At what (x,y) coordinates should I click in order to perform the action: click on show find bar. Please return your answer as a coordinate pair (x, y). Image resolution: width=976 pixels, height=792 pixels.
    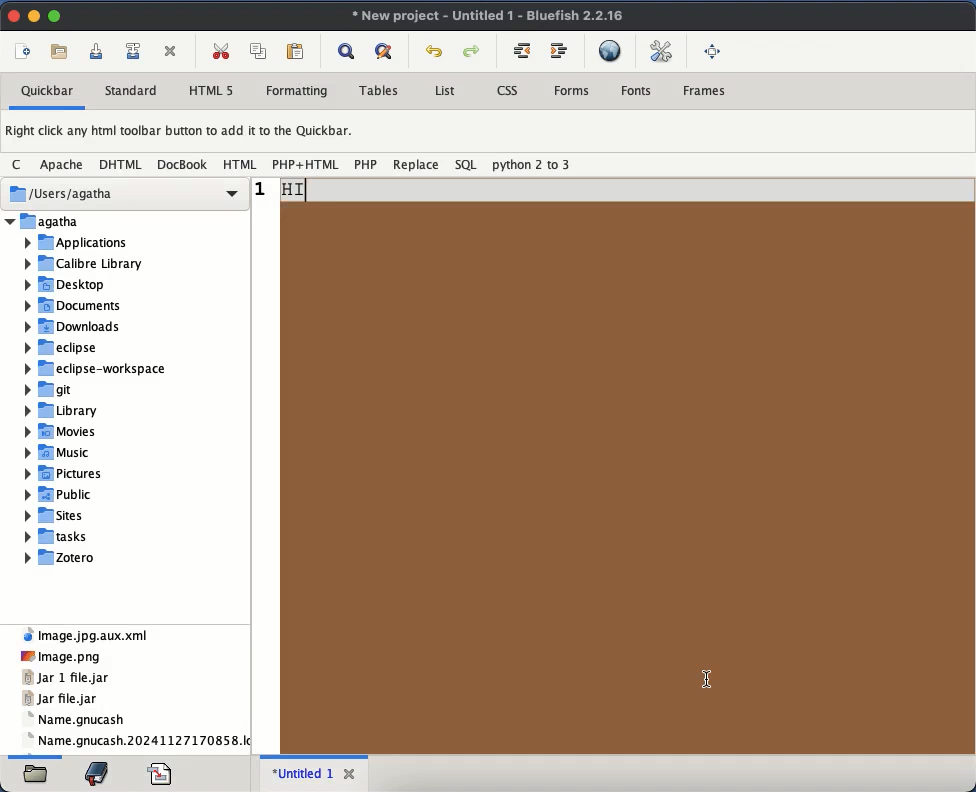
    Looking at the image, I should click on (348, 52).